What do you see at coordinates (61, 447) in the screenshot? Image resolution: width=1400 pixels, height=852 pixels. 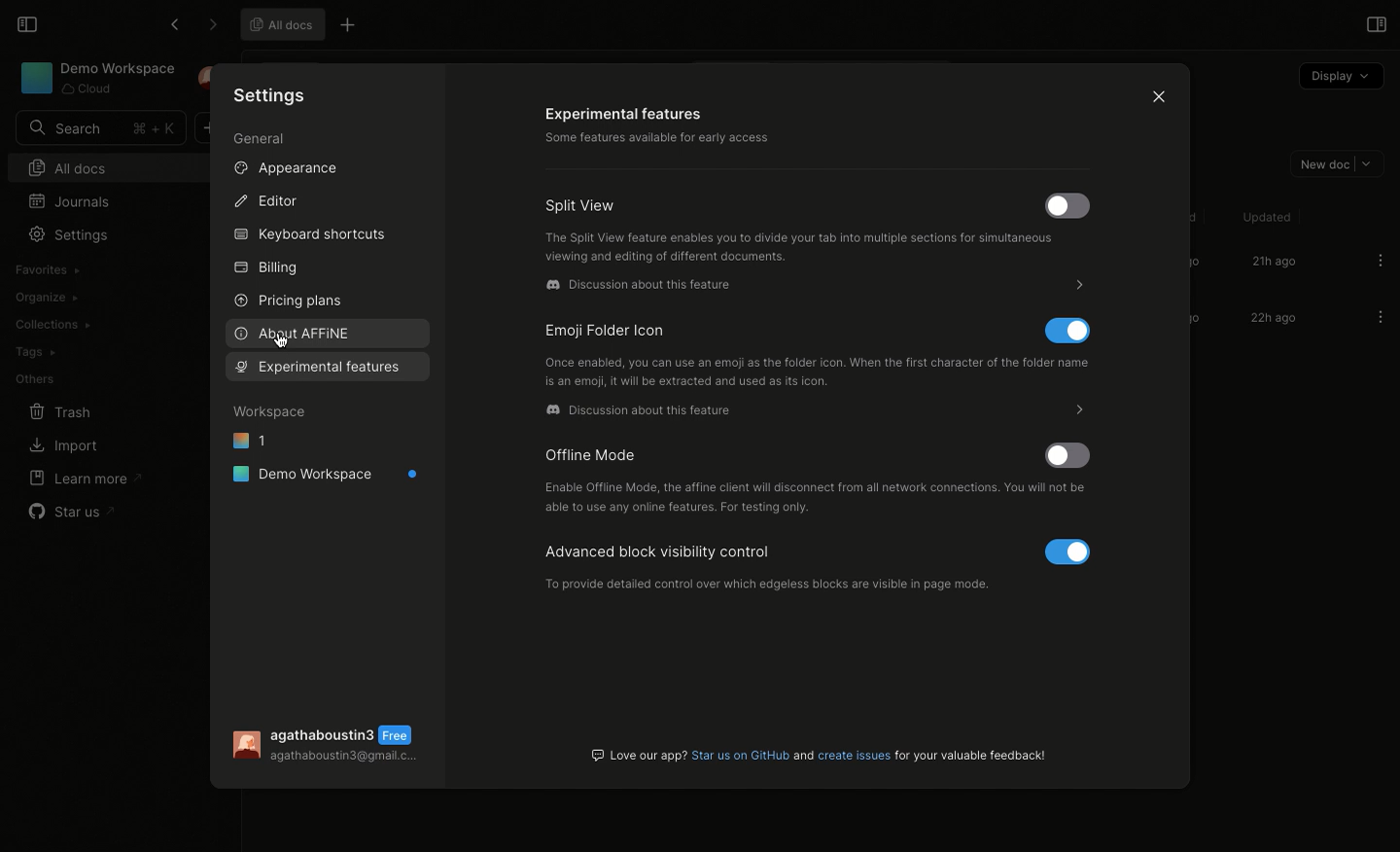 I see `Import` at bounding box center [61, 447].